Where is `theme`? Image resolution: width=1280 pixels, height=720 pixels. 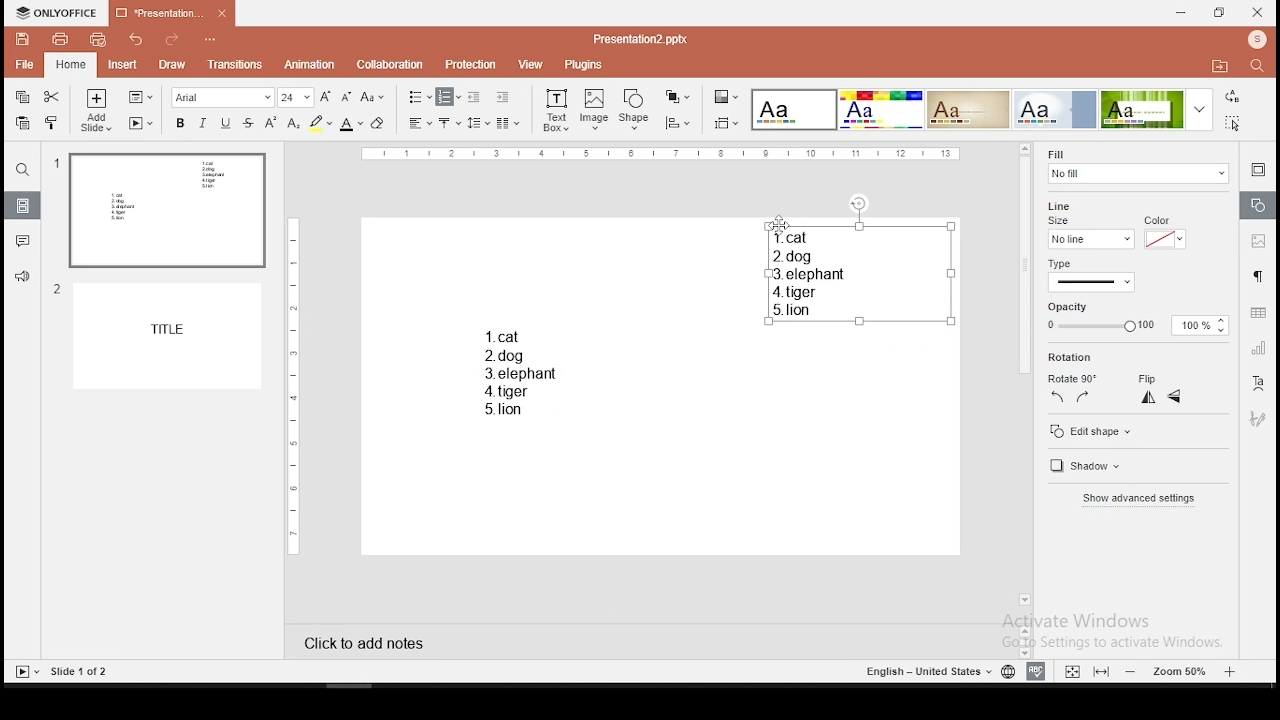 theme is located at coordinates (1055, 109).